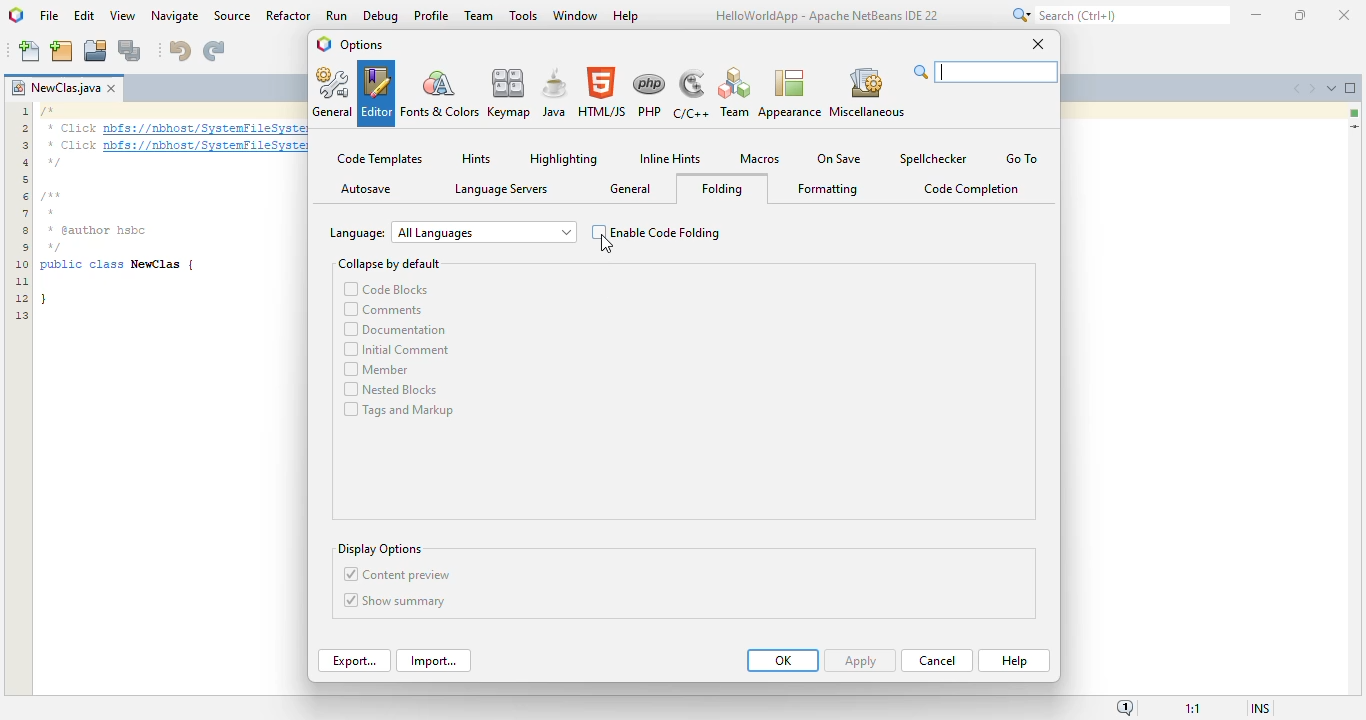  I want to click on save all, so click(130, 50).